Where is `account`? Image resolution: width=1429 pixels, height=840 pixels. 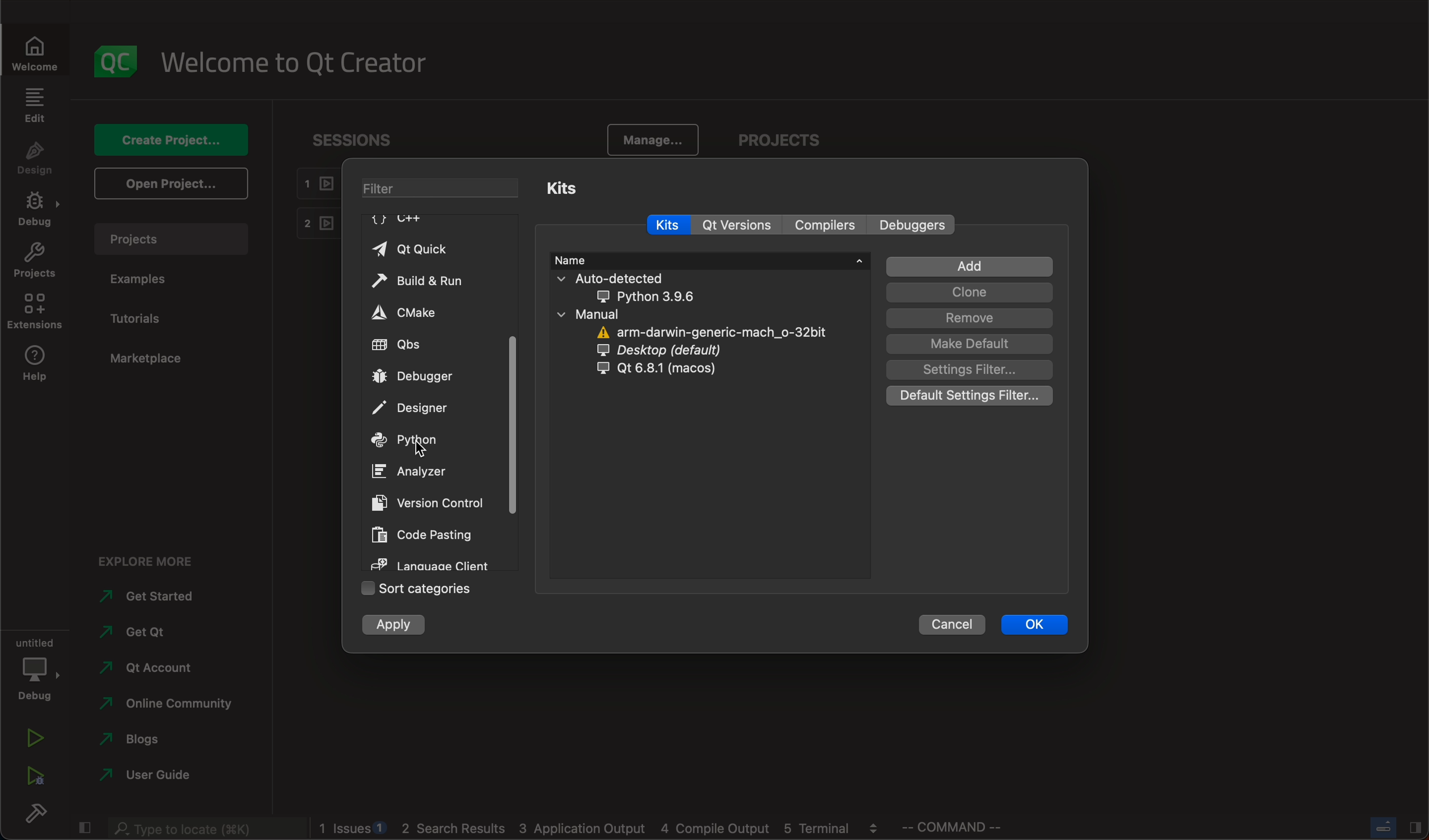 account is located at coordinates (151, 669).